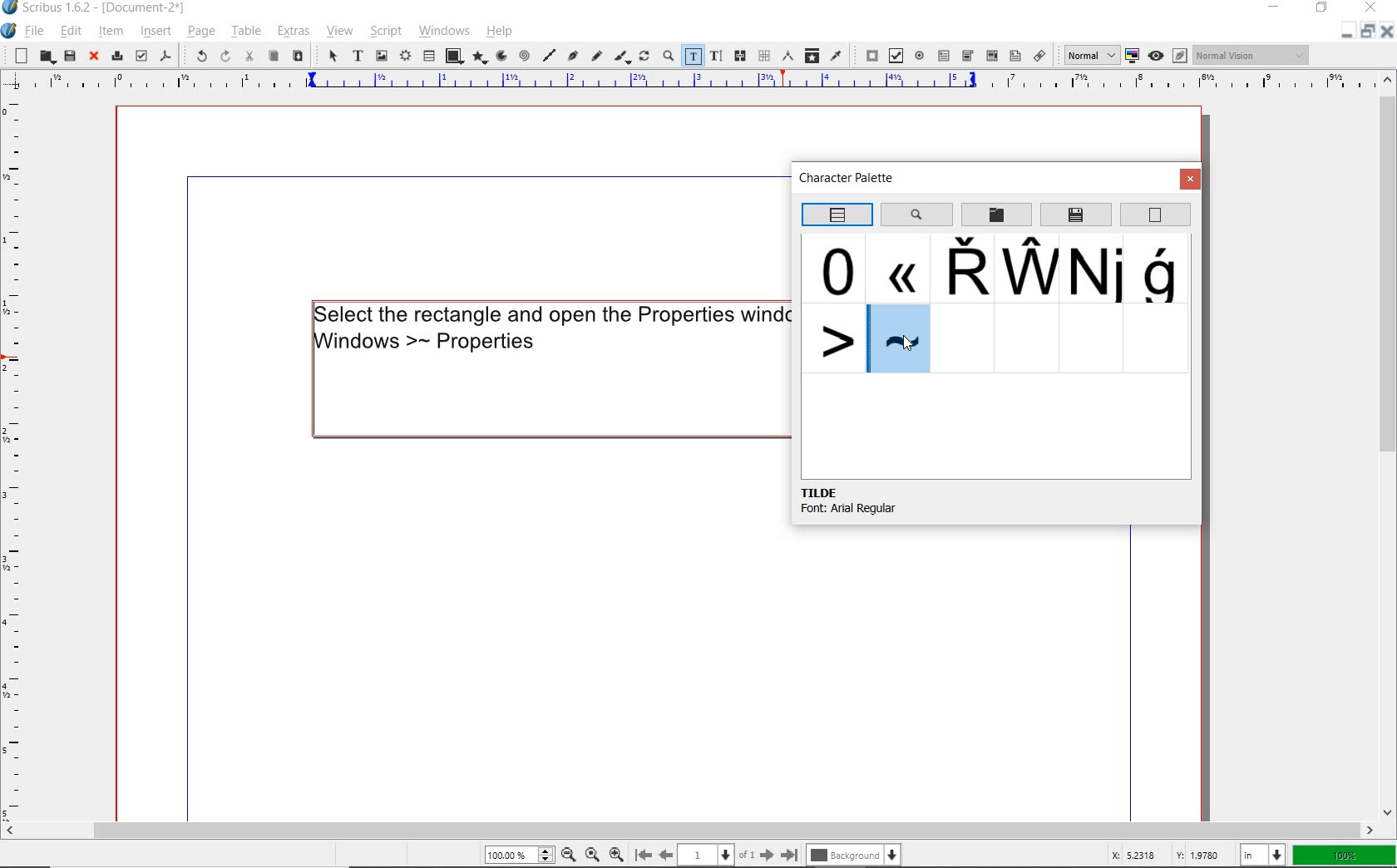 The width and height of the screenshot is (1397, 868). I want to click on table, so click(428, 57).